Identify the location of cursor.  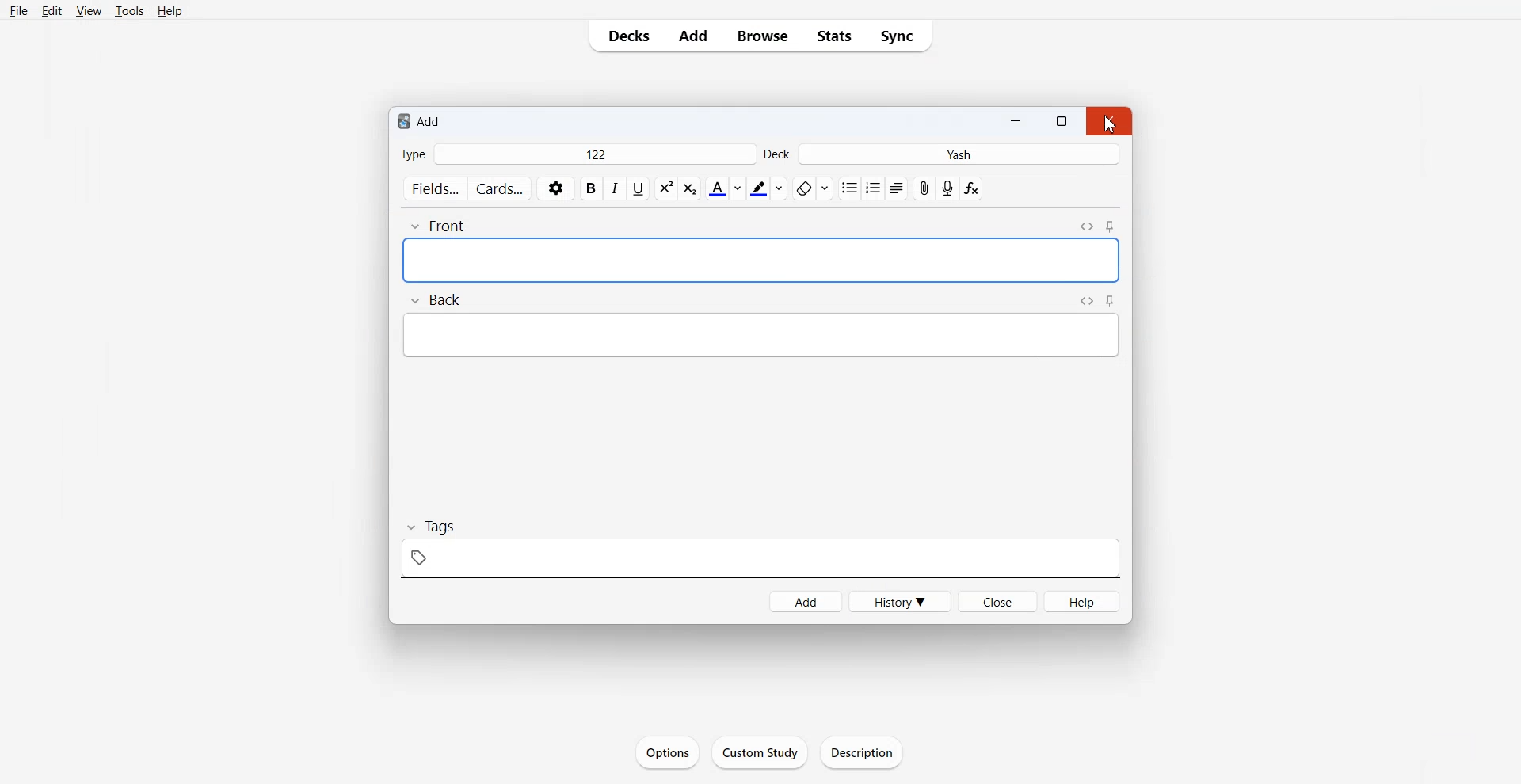
(1109, 125).